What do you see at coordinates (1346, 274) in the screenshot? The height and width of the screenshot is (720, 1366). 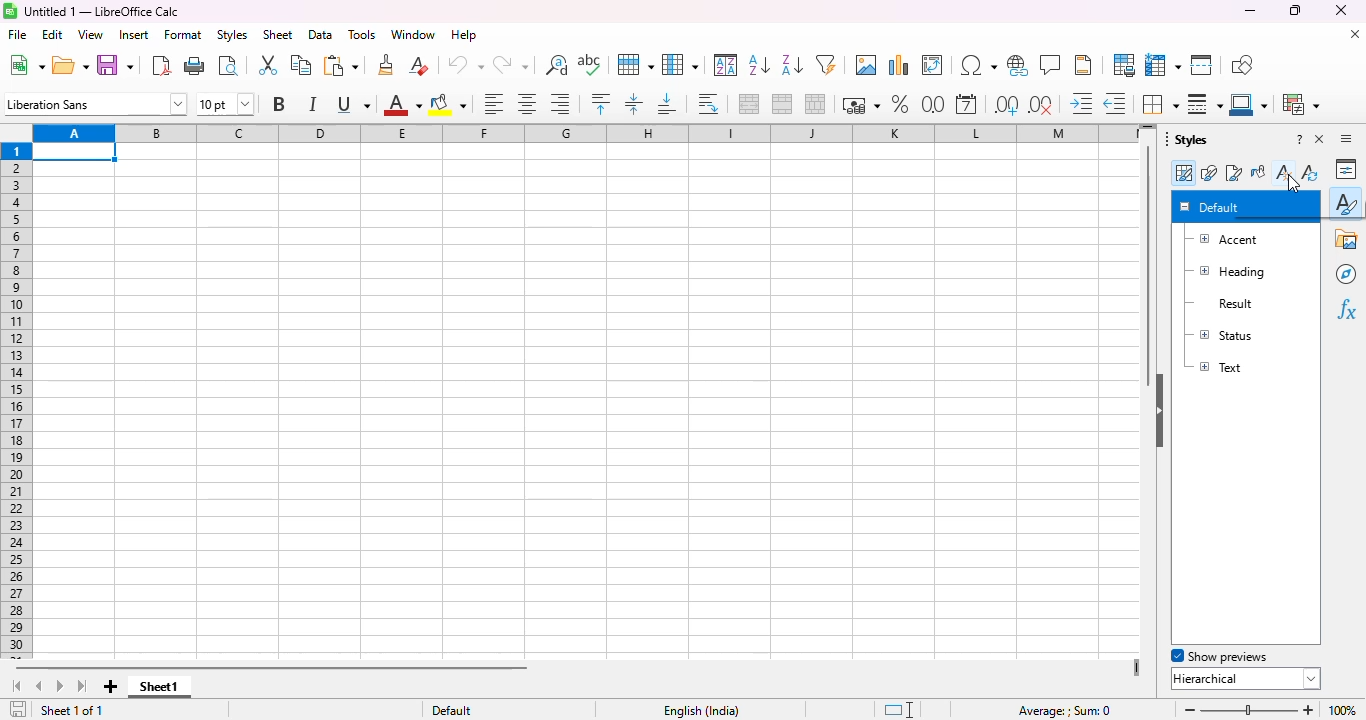 I see `navigator` at bounding box center [1346, 274].